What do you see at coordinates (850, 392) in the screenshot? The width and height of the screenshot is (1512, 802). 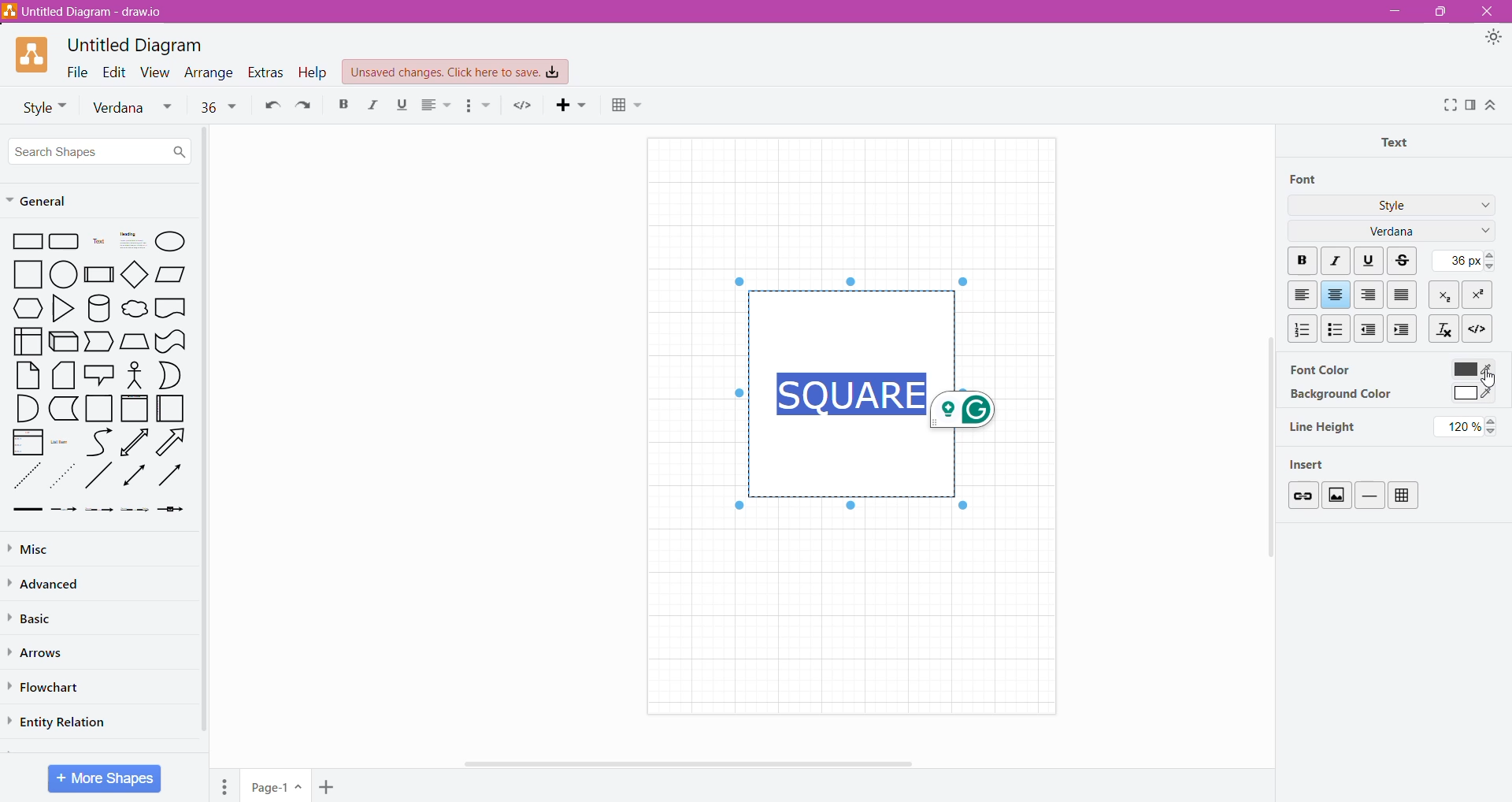 I see `Text selected` at bounding box center [850, 392].